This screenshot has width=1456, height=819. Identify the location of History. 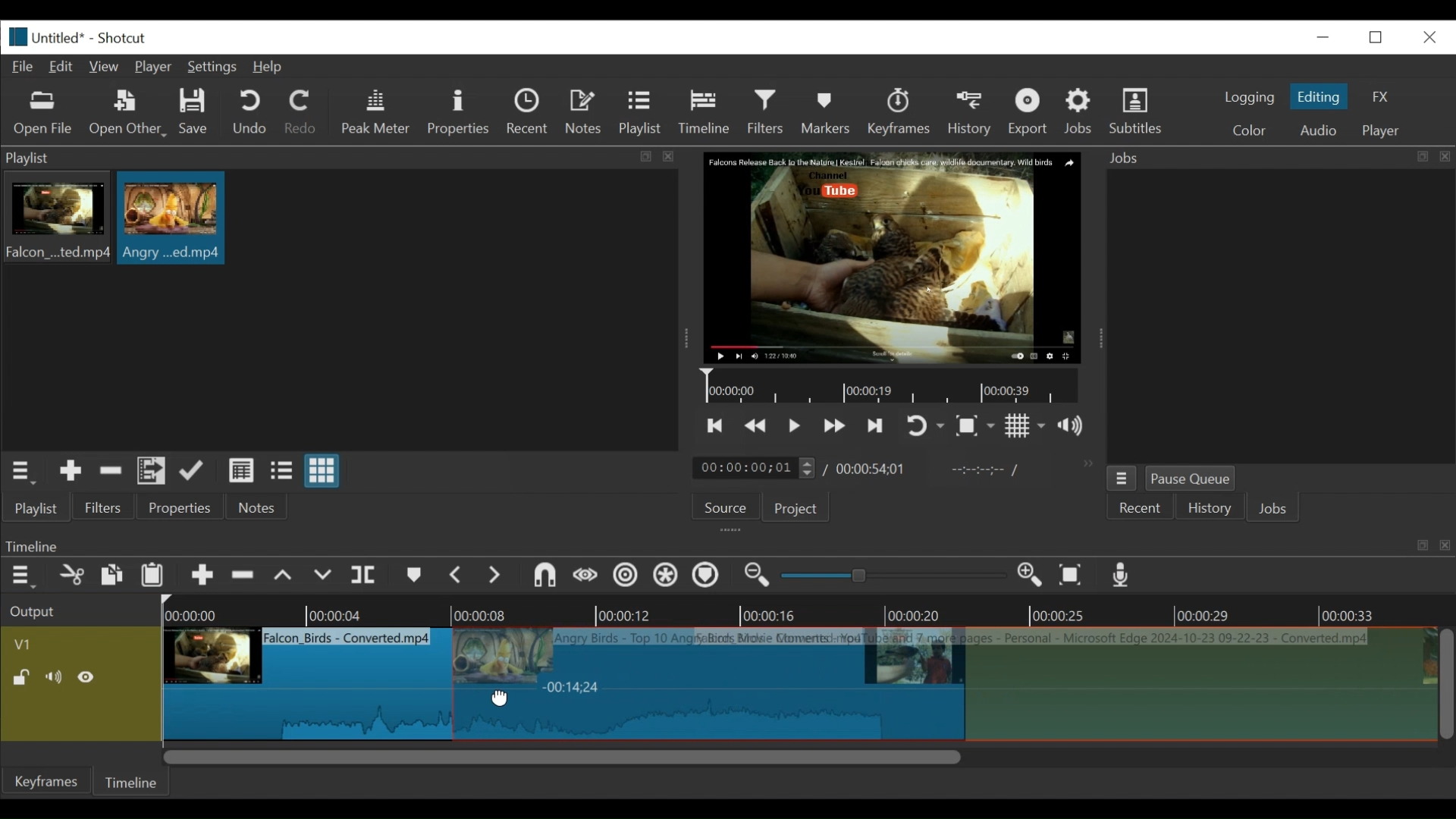
(972, 111).